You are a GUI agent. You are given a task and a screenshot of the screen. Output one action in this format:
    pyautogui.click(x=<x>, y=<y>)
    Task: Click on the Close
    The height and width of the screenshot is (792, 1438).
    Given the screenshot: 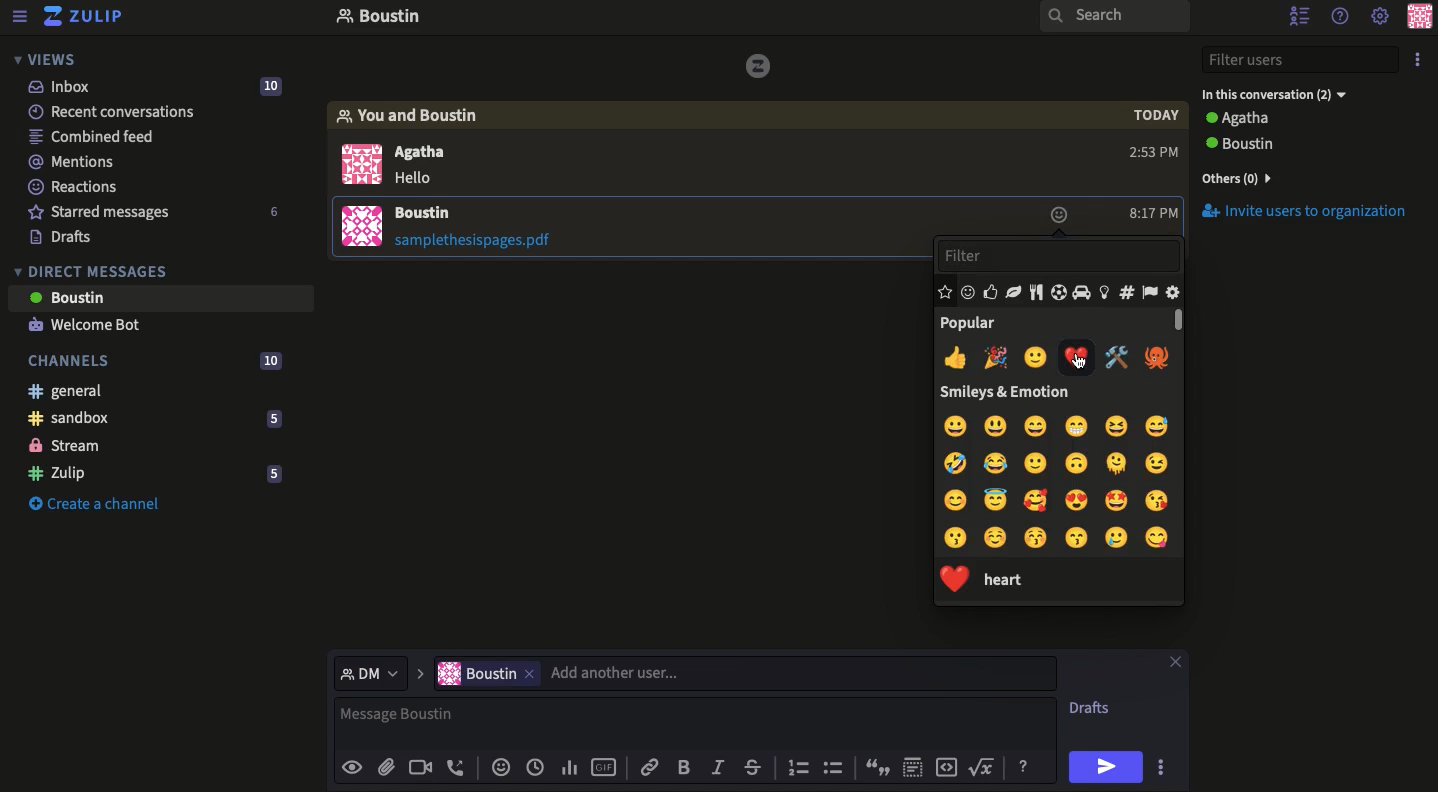 What is the action you would take?
    pyautogui.click(x=1174, y=659)
    